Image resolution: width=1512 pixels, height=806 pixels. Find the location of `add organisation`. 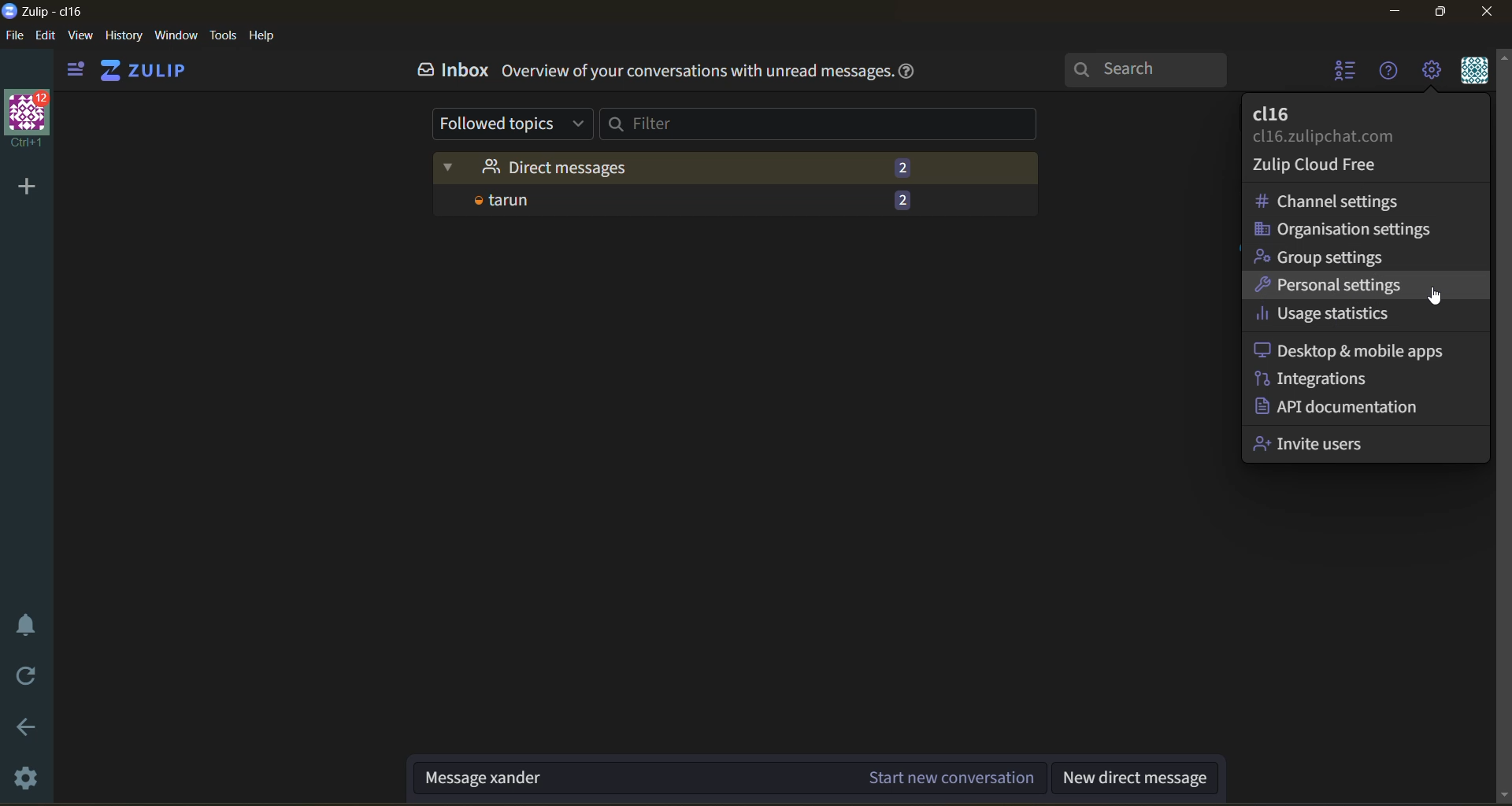

add organisation is located at coordinates (20, 183).